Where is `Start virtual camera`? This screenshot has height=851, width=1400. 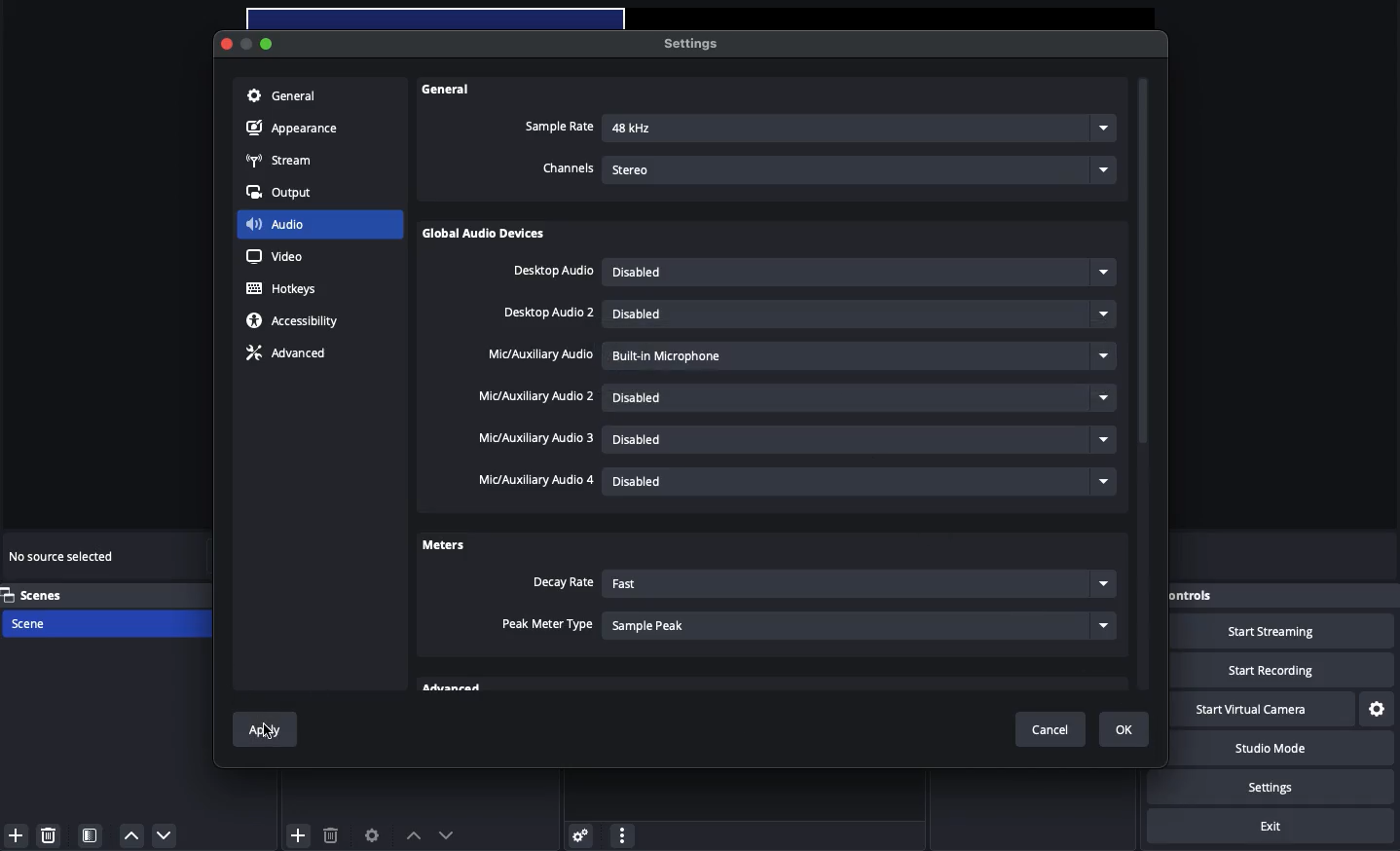 Start virtual camera is located at coordinates (1261, 710).